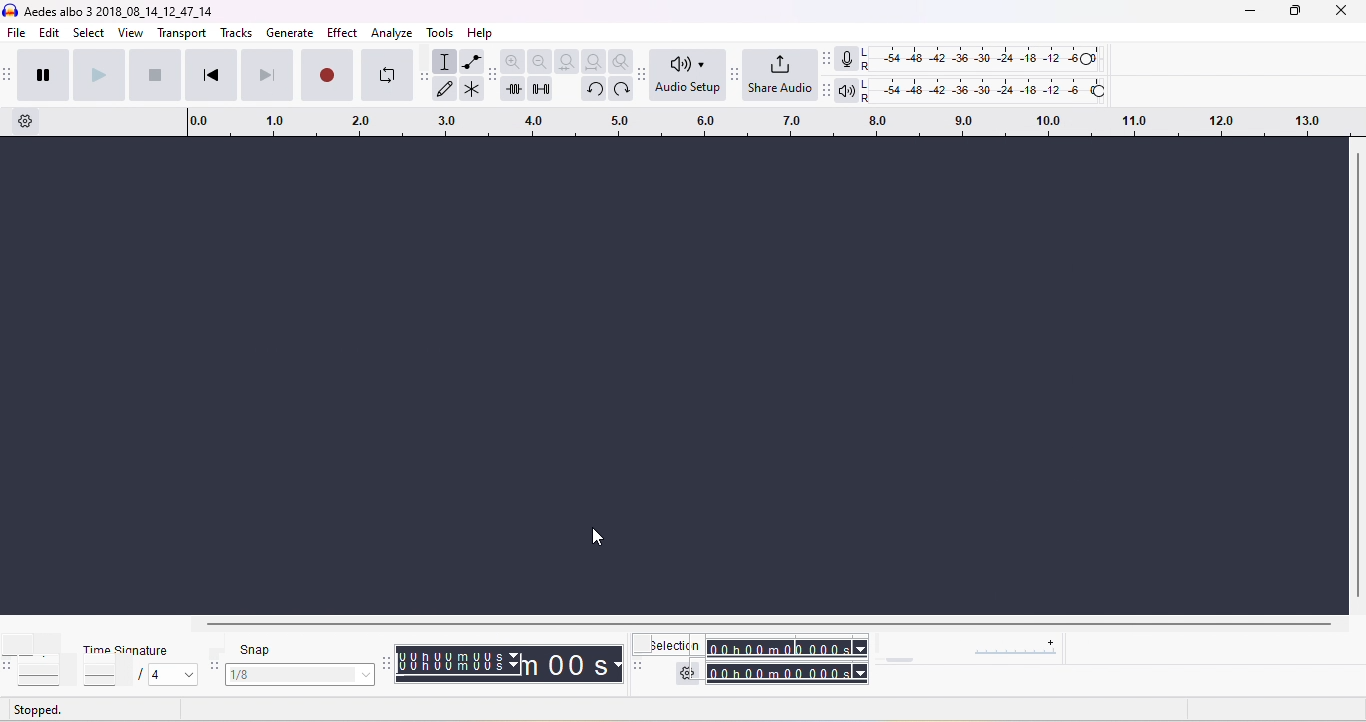 The height and width of the screenshot is (722, 1366). What do you see at coordinates (1247, 12) in the screenshot?
I see `minimize` at bounding box center [1247, 12].